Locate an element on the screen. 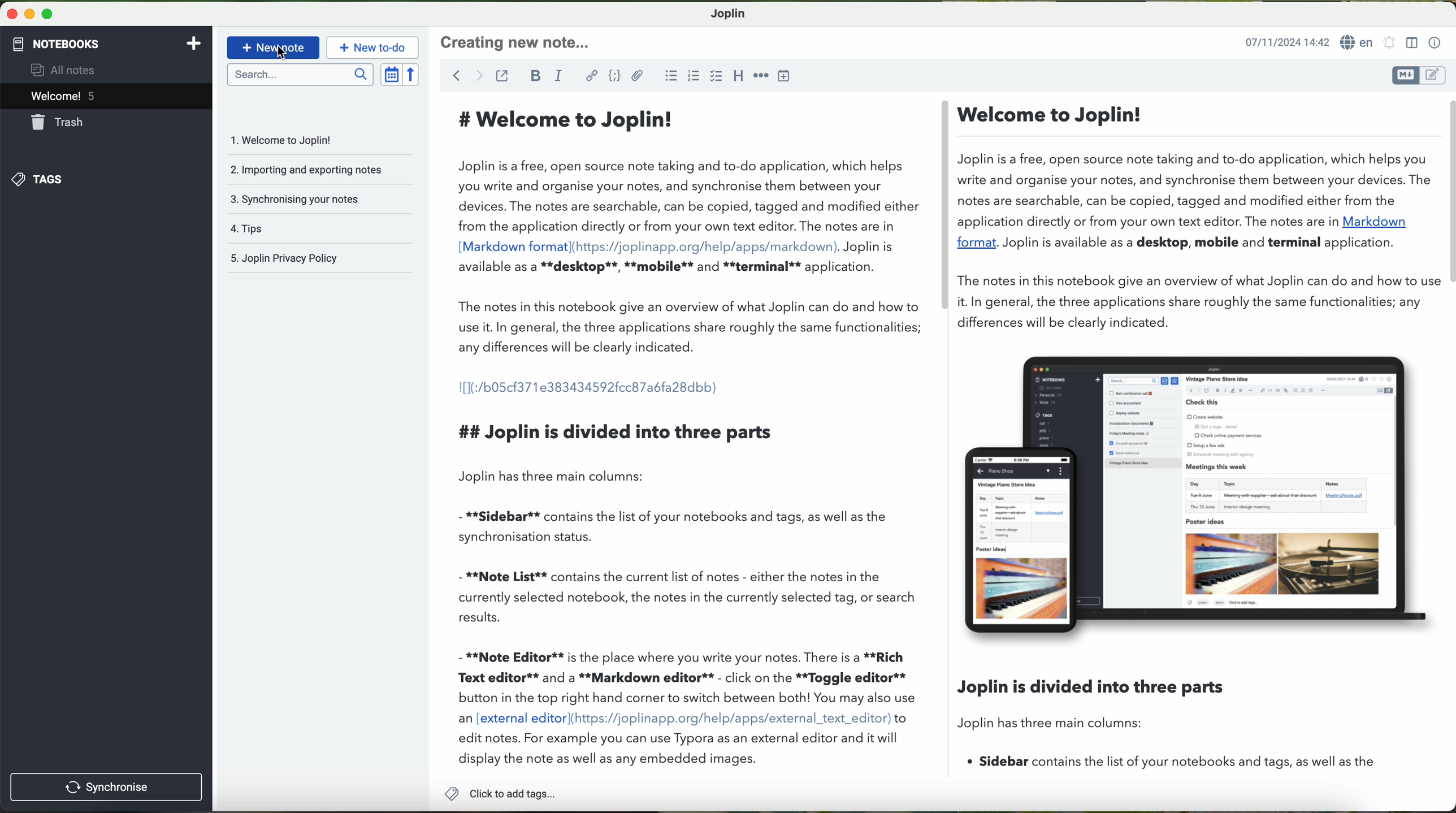 This screenshot has height=813, width=1456. new note button is located at coordinates (274, 47).